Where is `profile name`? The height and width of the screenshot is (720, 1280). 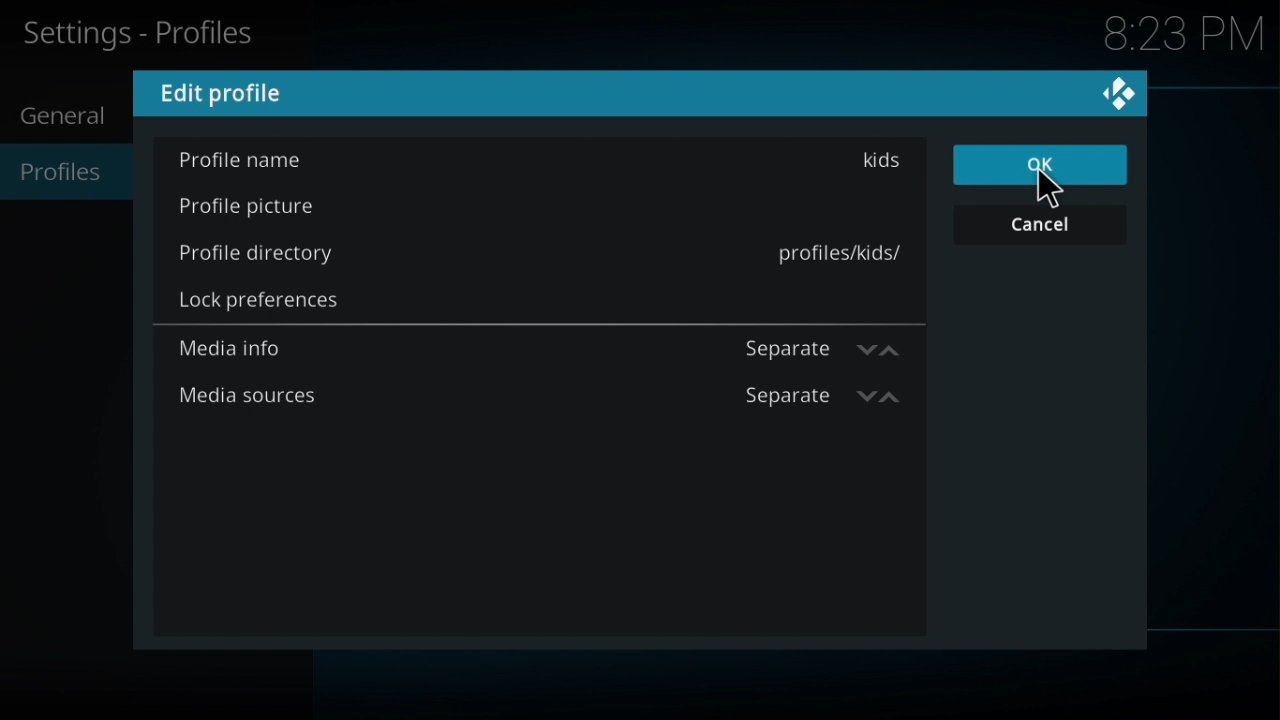 profile name is located at coordinates (245, 159).